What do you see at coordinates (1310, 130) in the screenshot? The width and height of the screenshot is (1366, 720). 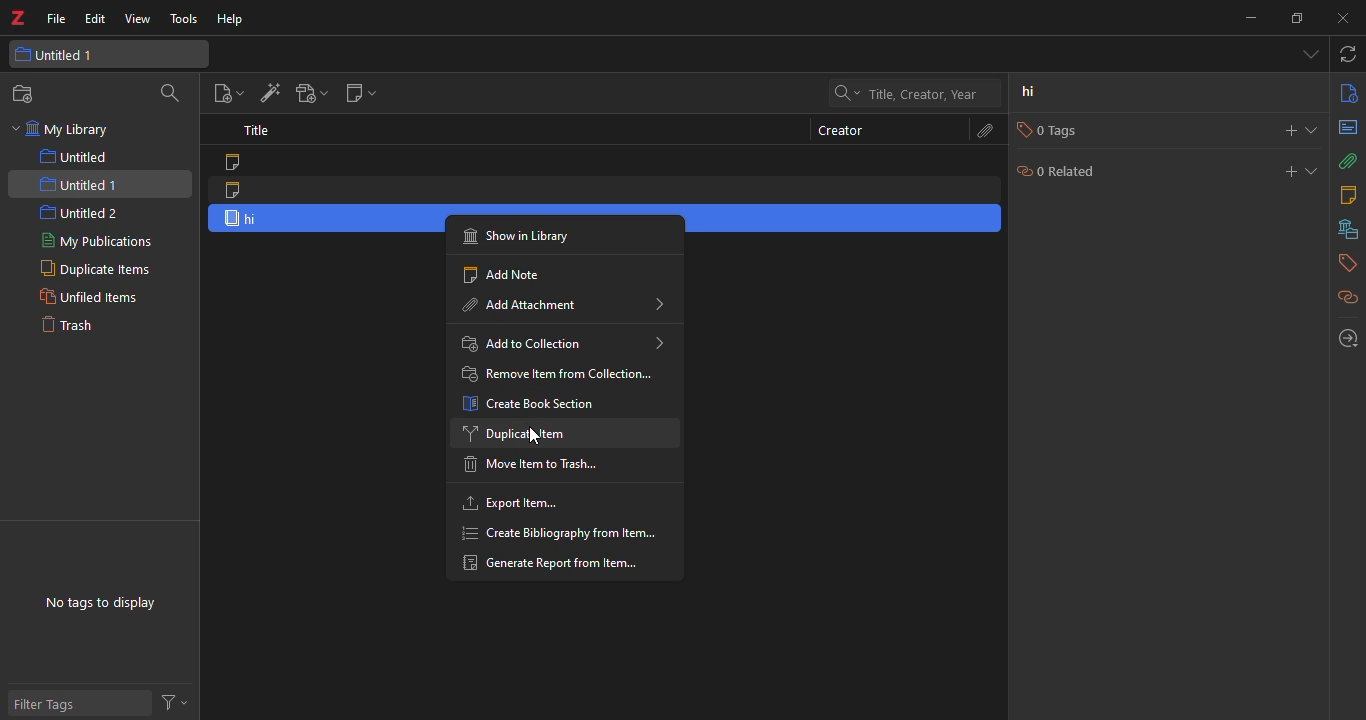 I see `expand` at bounding box center [1310, 130].